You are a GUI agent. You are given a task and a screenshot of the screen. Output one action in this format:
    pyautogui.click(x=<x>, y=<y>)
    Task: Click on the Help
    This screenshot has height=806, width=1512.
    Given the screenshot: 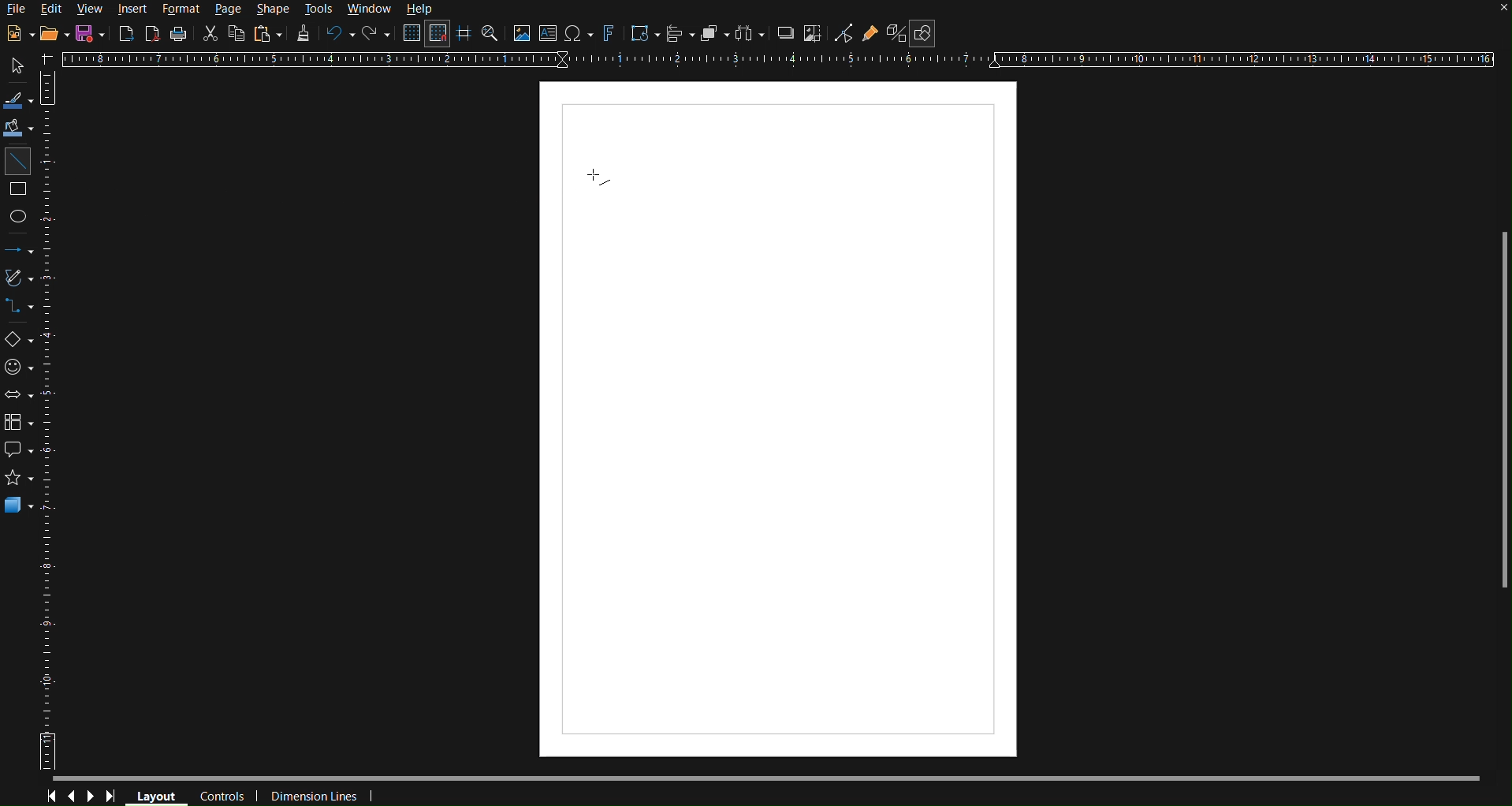 What is the action you would take?
    pyautogui.click(x=418, y=9)
    